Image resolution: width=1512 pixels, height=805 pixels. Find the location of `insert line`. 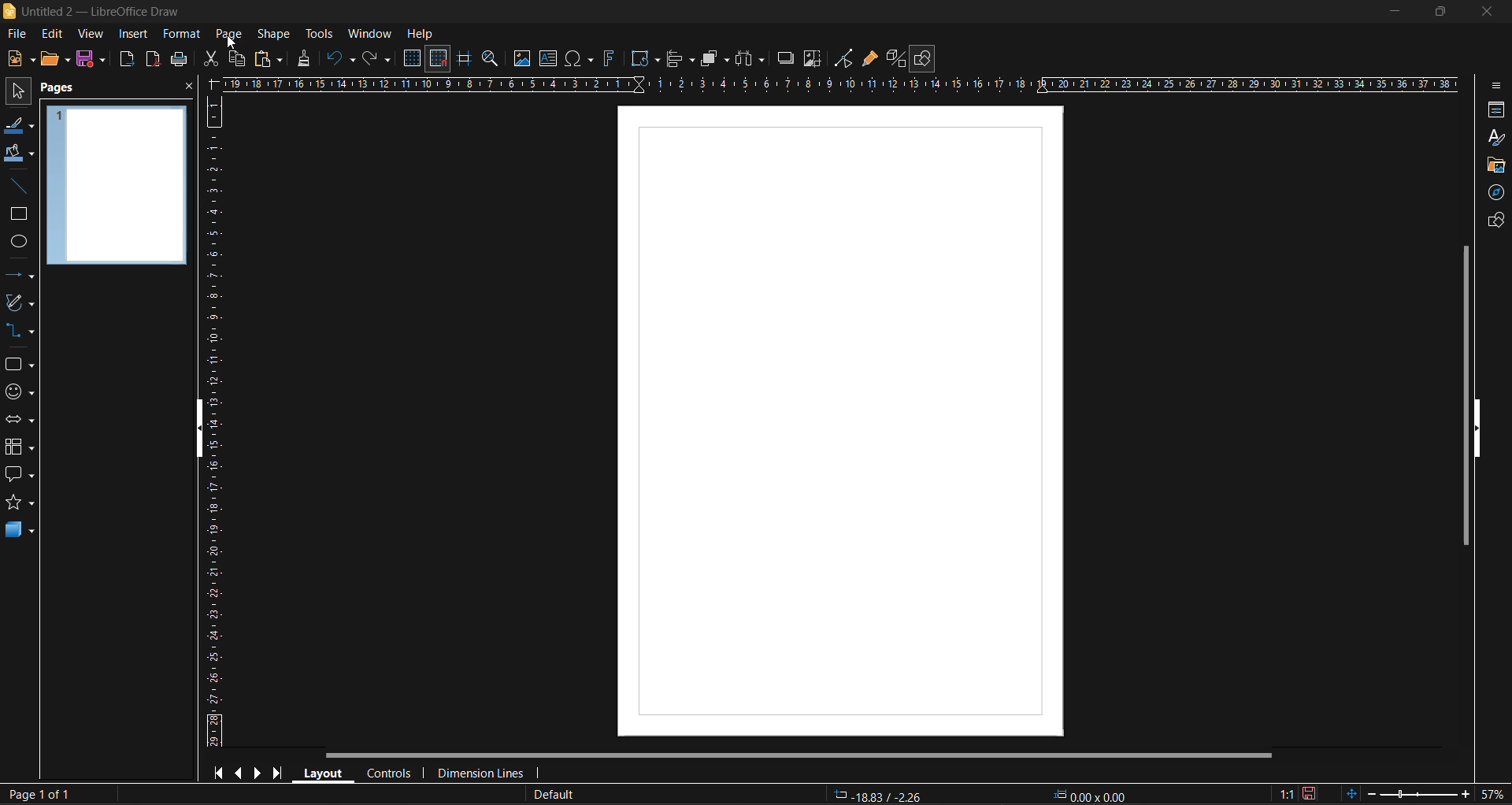

insert line is located at coordinates (16, 187).